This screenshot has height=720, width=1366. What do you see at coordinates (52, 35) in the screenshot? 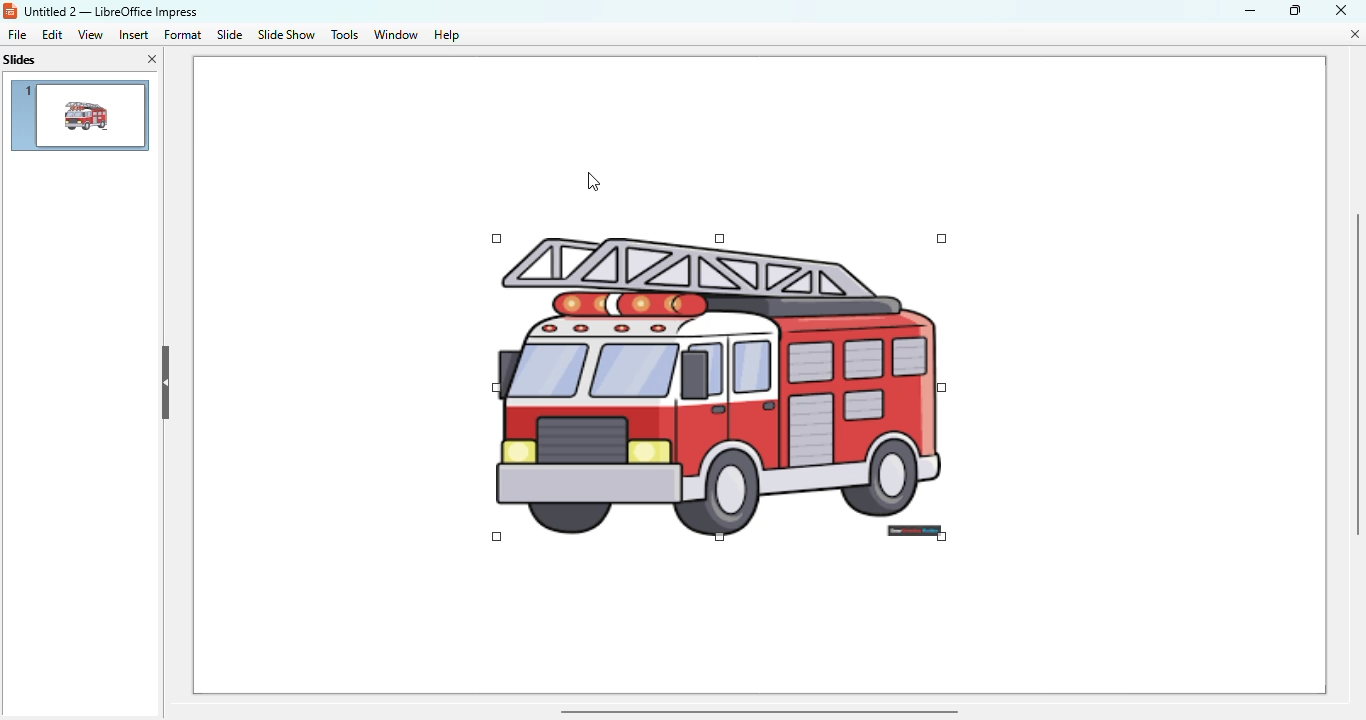
I see `edit` at bounding box center [52, 35].